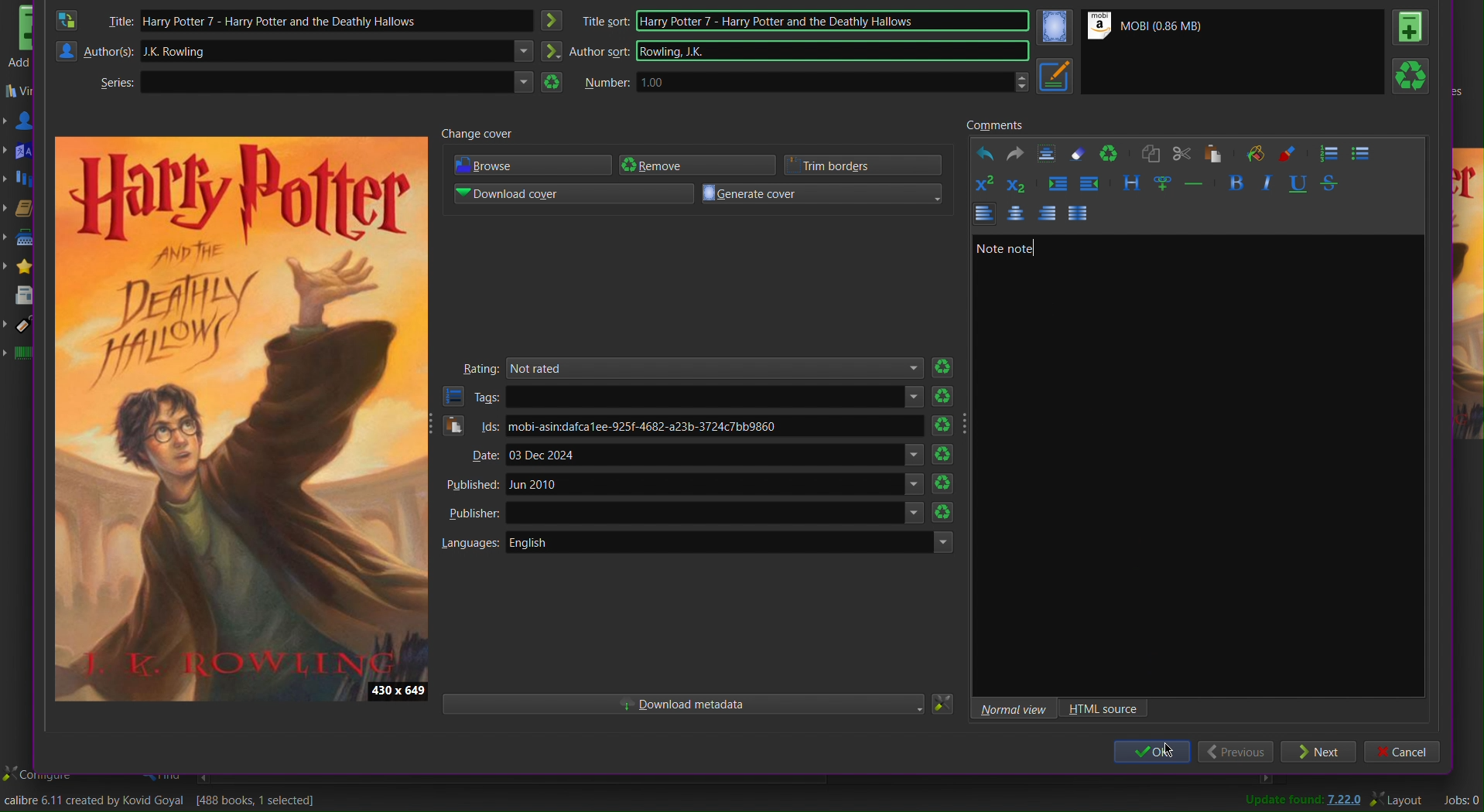 The height and width of the screenshot is (812, 1484). I want to click on Publisher, so click(24, 241).